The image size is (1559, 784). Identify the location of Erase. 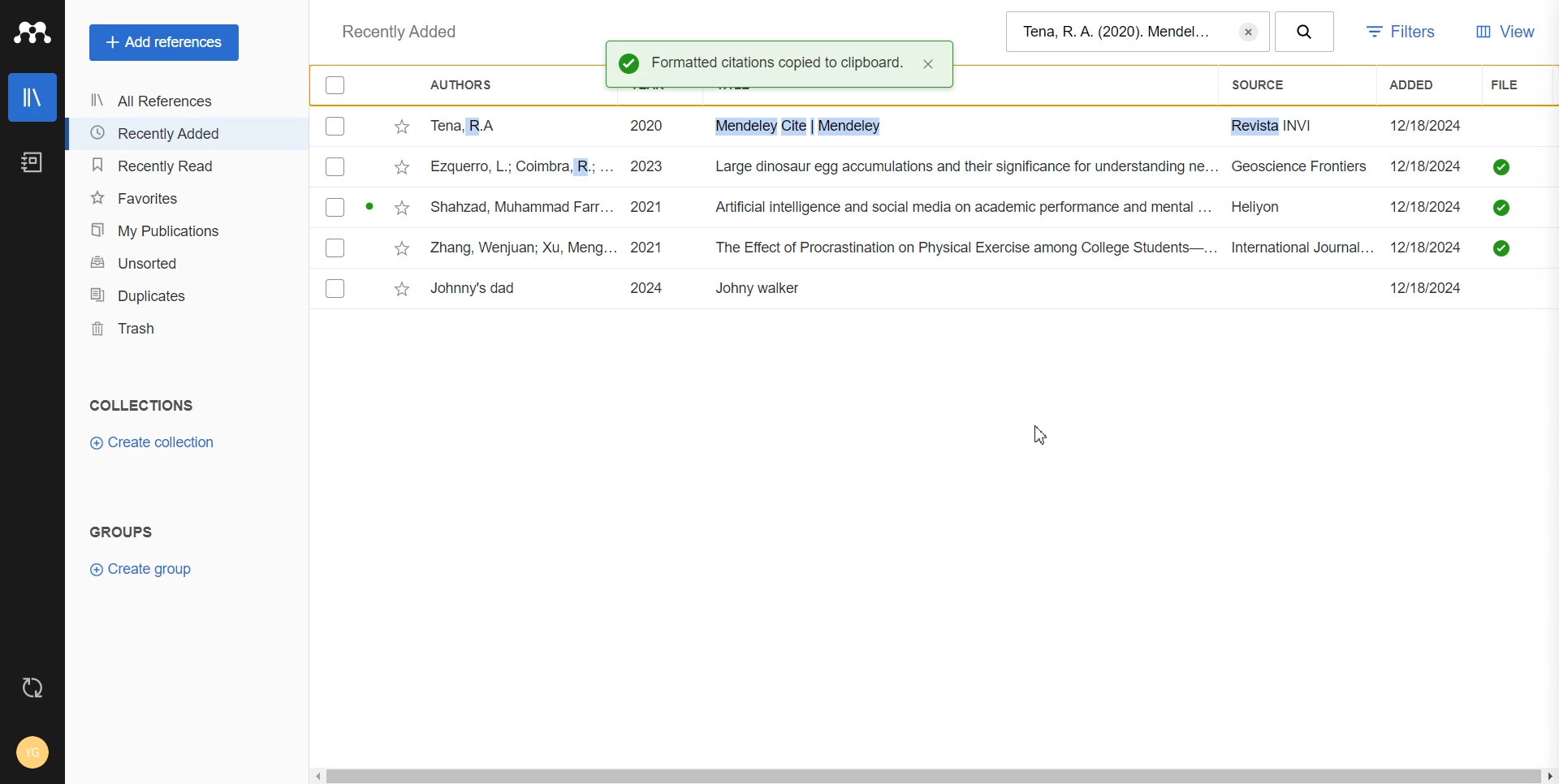
(1250, 30).